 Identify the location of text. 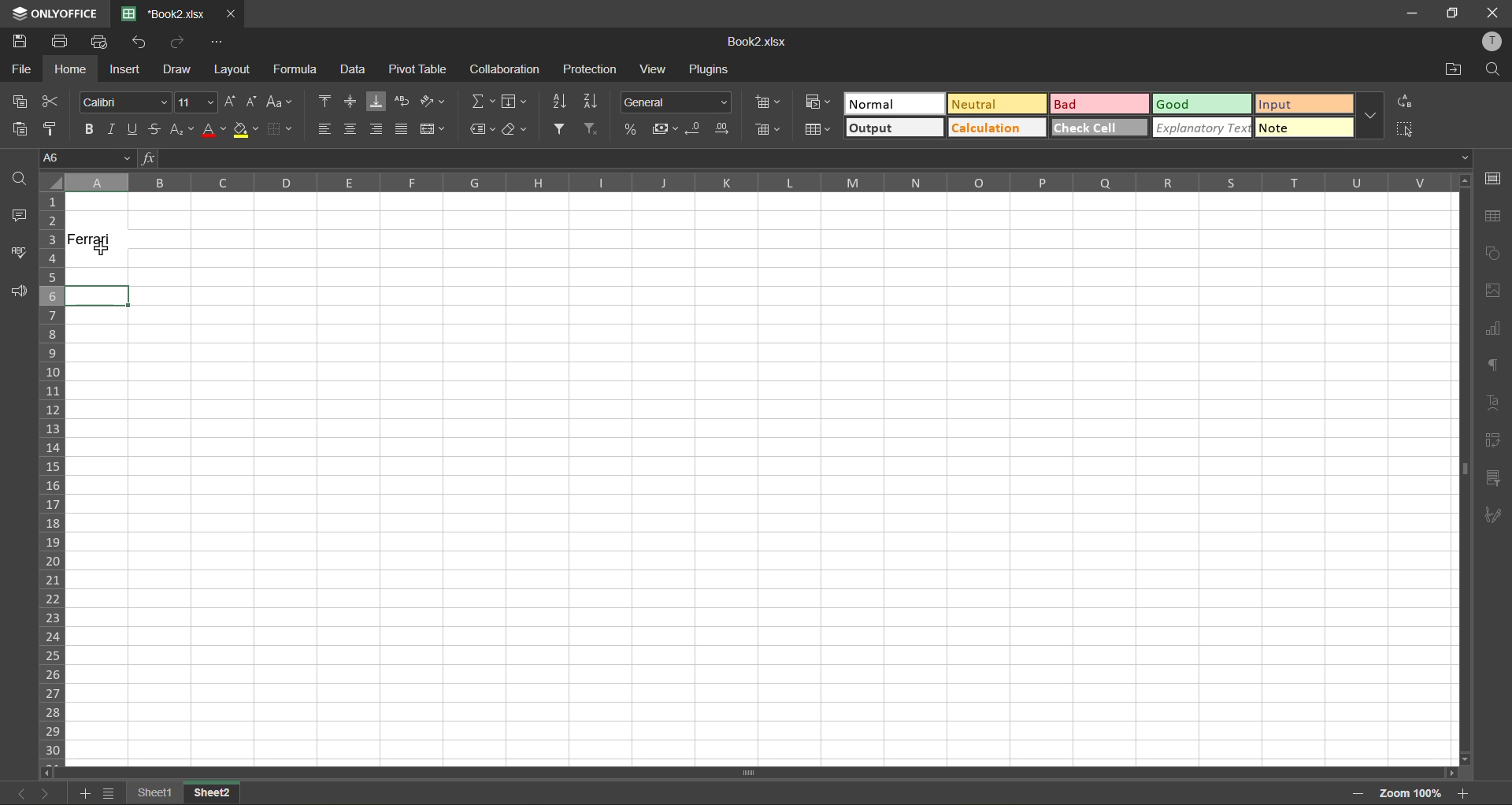
(1489, 401).